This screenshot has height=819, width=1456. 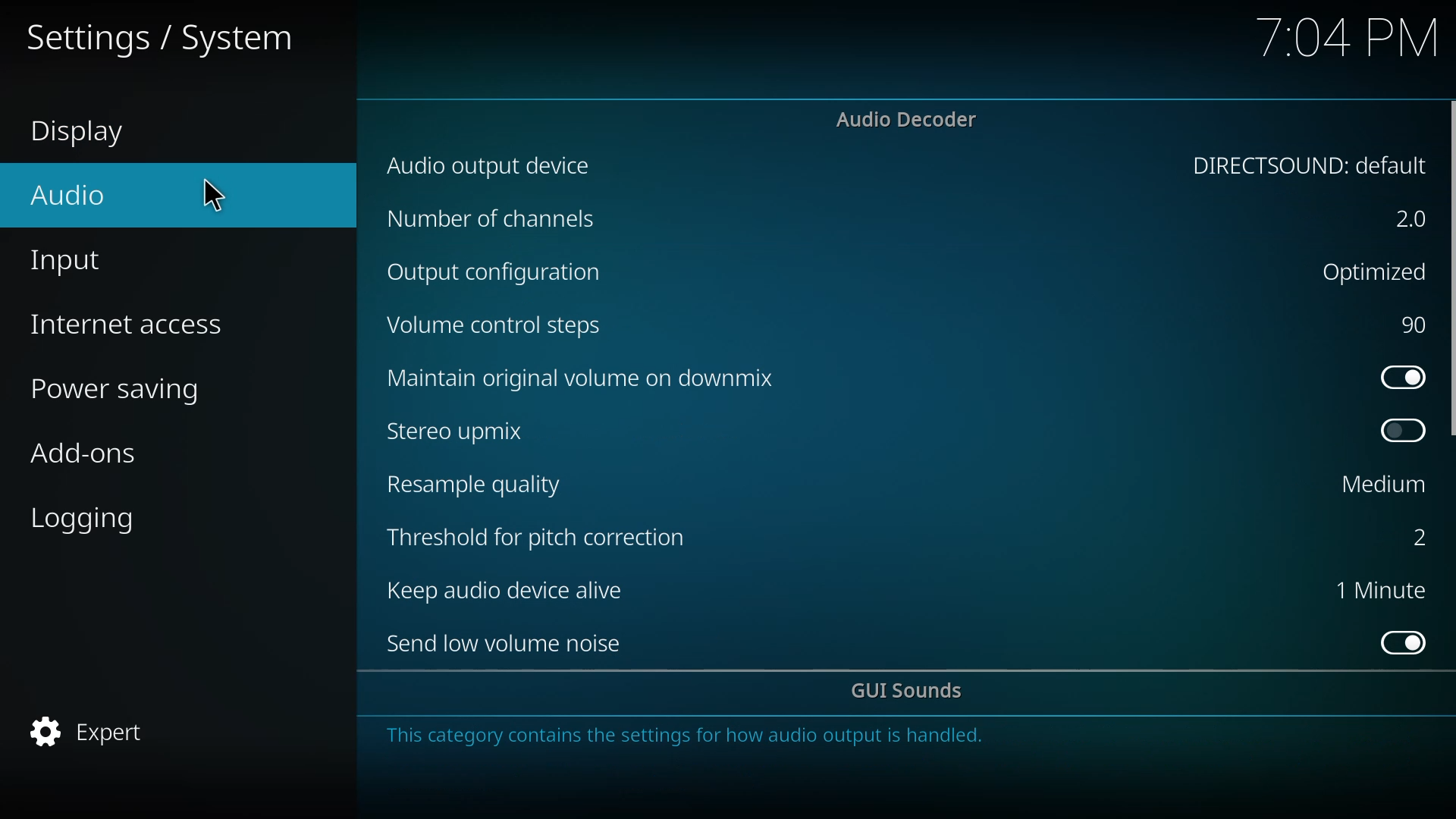 I want to click on audio decoder, so click(x=908, y=120).